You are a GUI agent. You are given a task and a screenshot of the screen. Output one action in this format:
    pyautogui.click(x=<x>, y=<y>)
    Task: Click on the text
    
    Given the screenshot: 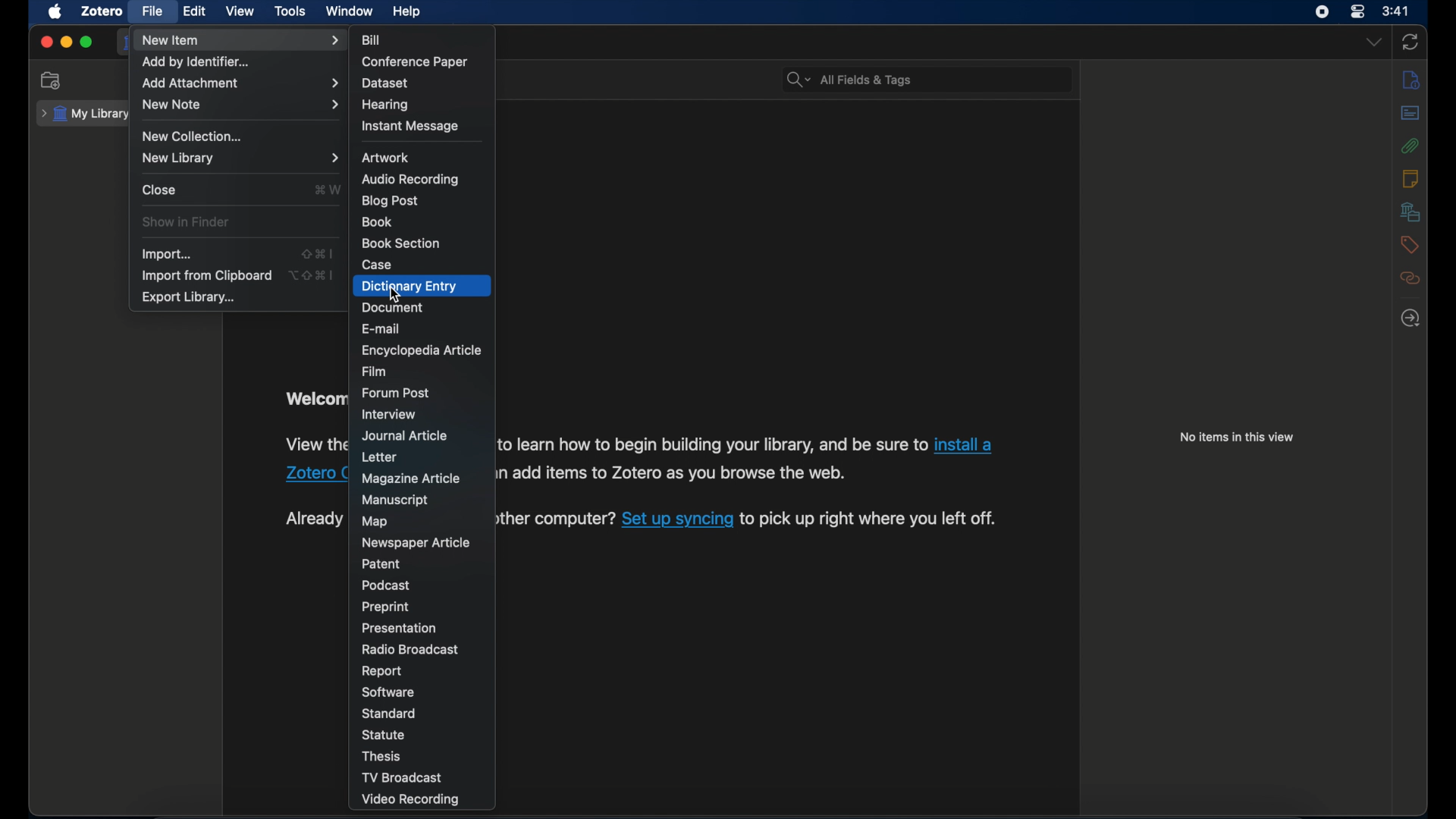 What is the action you would take?
    pyautogui.click(x=667, y=475)
    